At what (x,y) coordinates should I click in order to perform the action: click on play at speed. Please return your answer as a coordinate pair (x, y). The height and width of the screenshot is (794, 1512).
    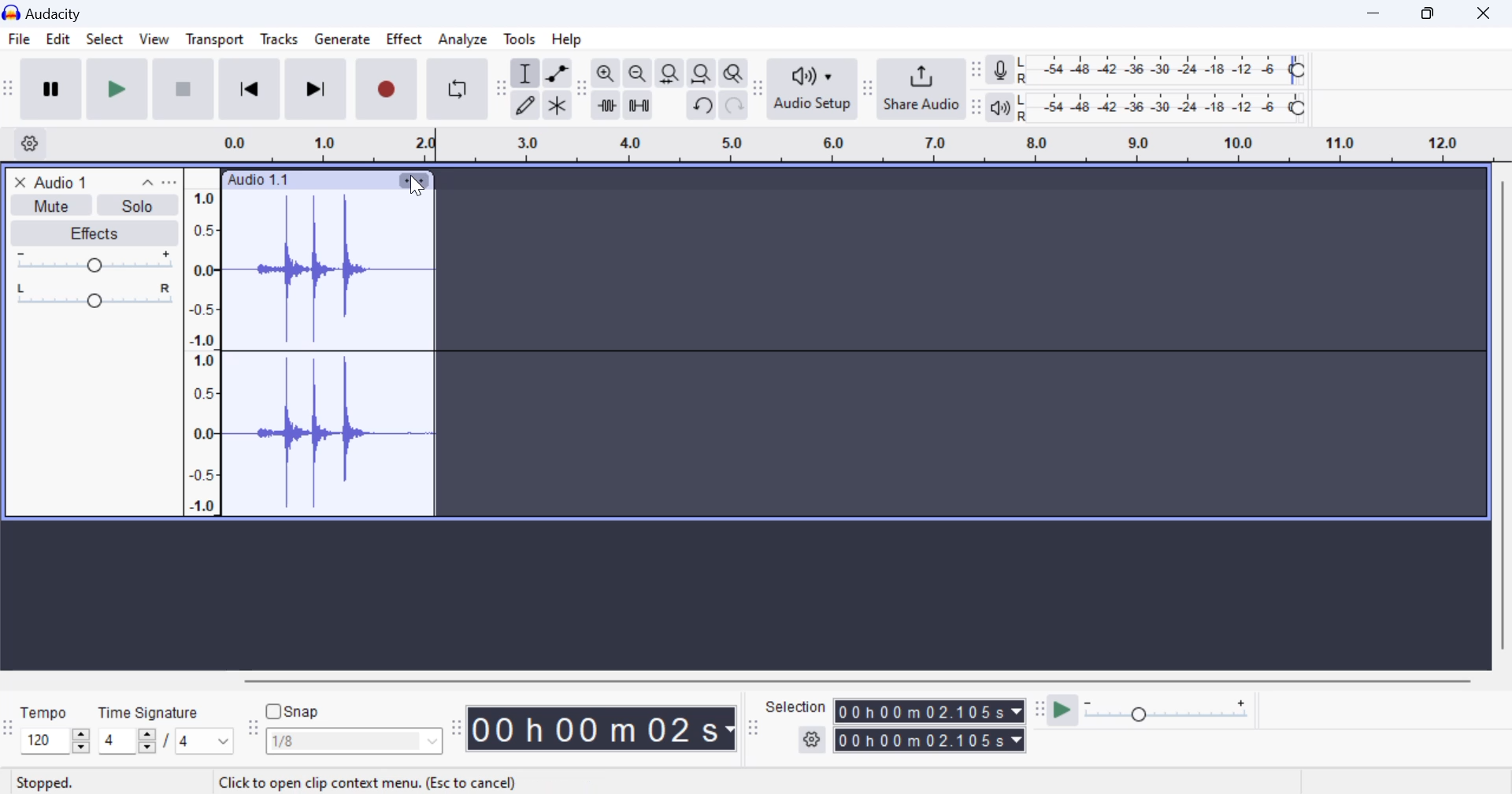
    Looking at the image, I should click on (1062, 711).